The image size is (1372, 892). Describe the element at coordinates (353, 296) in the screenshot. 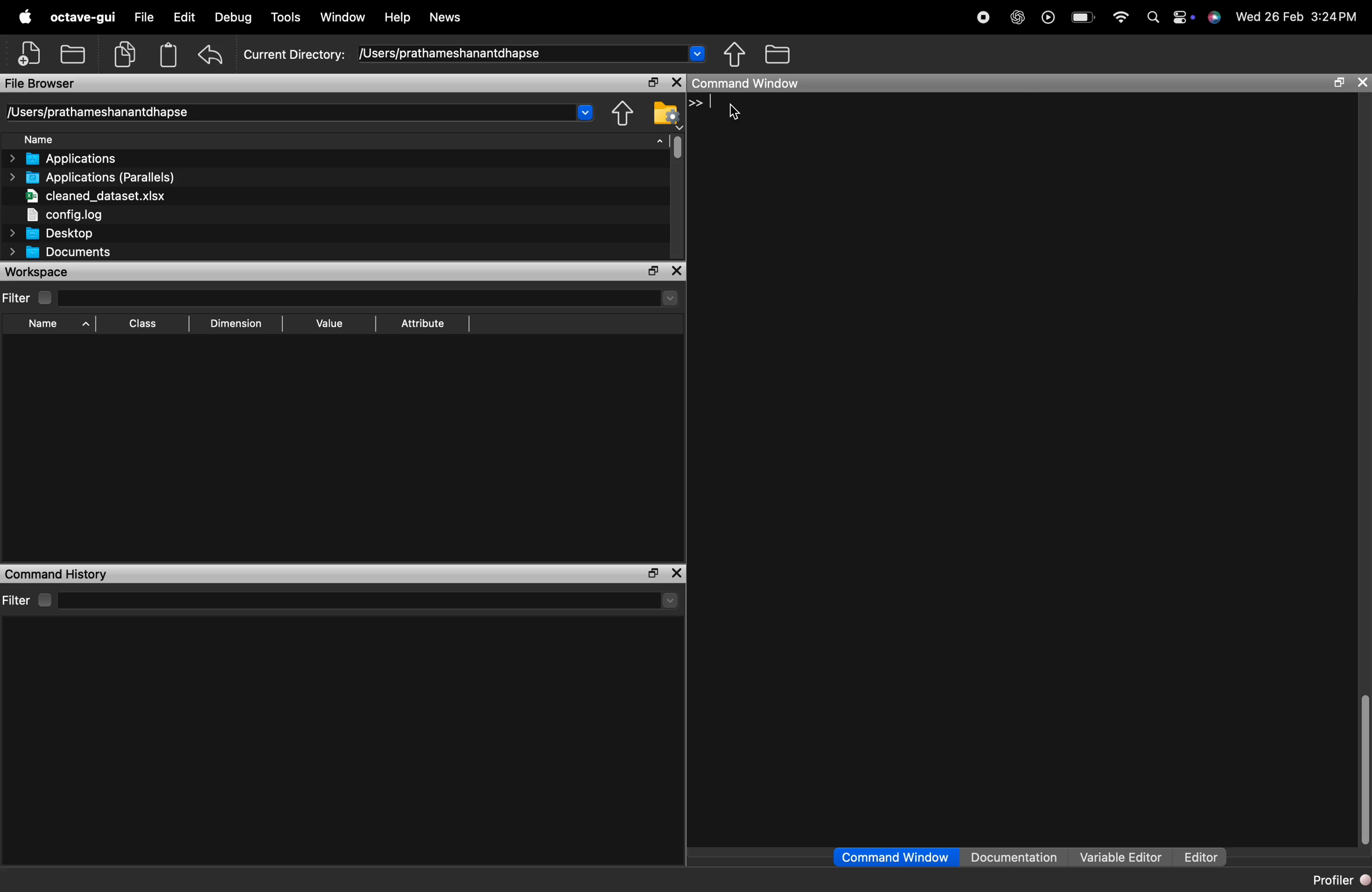

I see `search box` at that location.